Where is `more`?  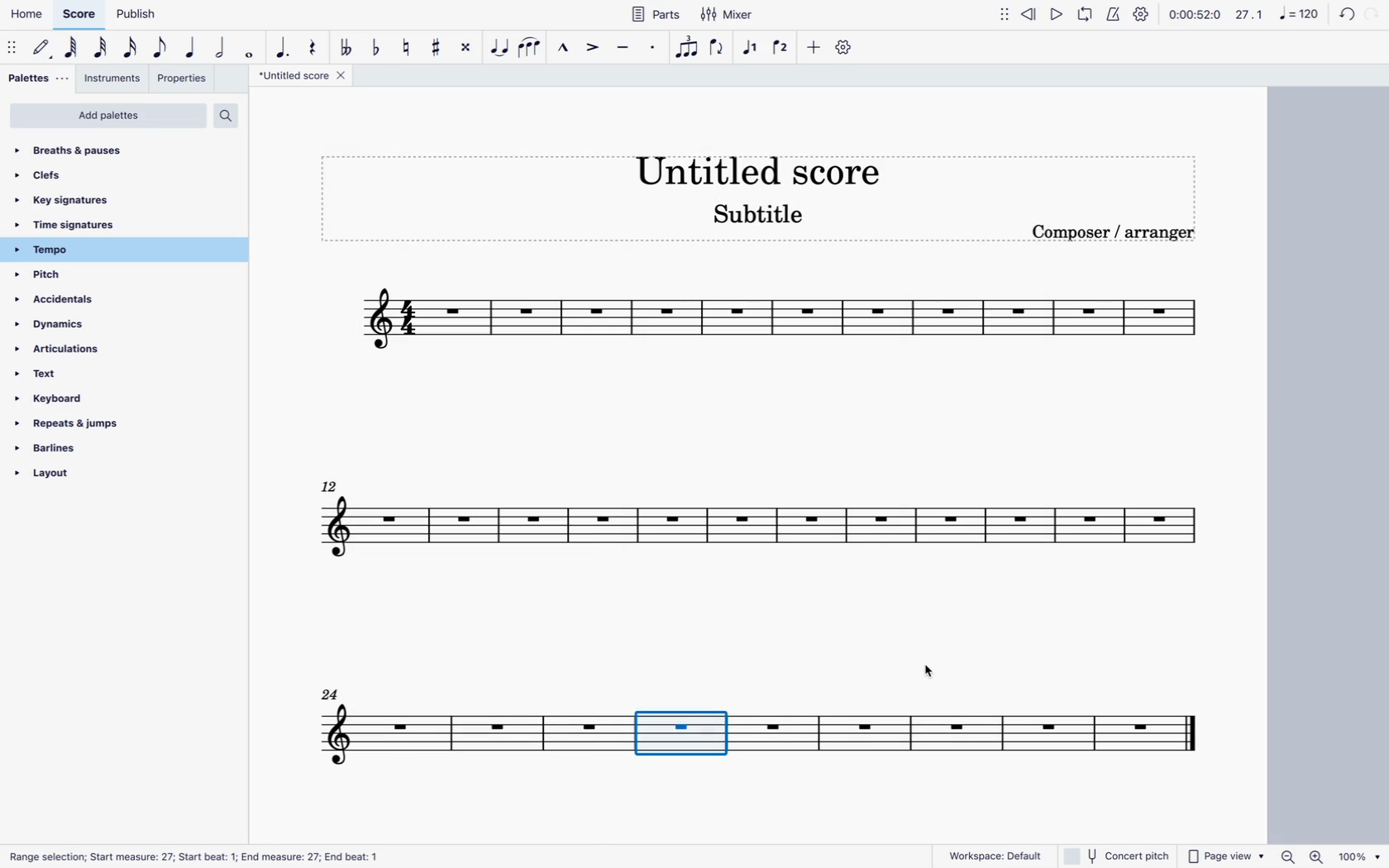
more is located at coordinates (814, 46).